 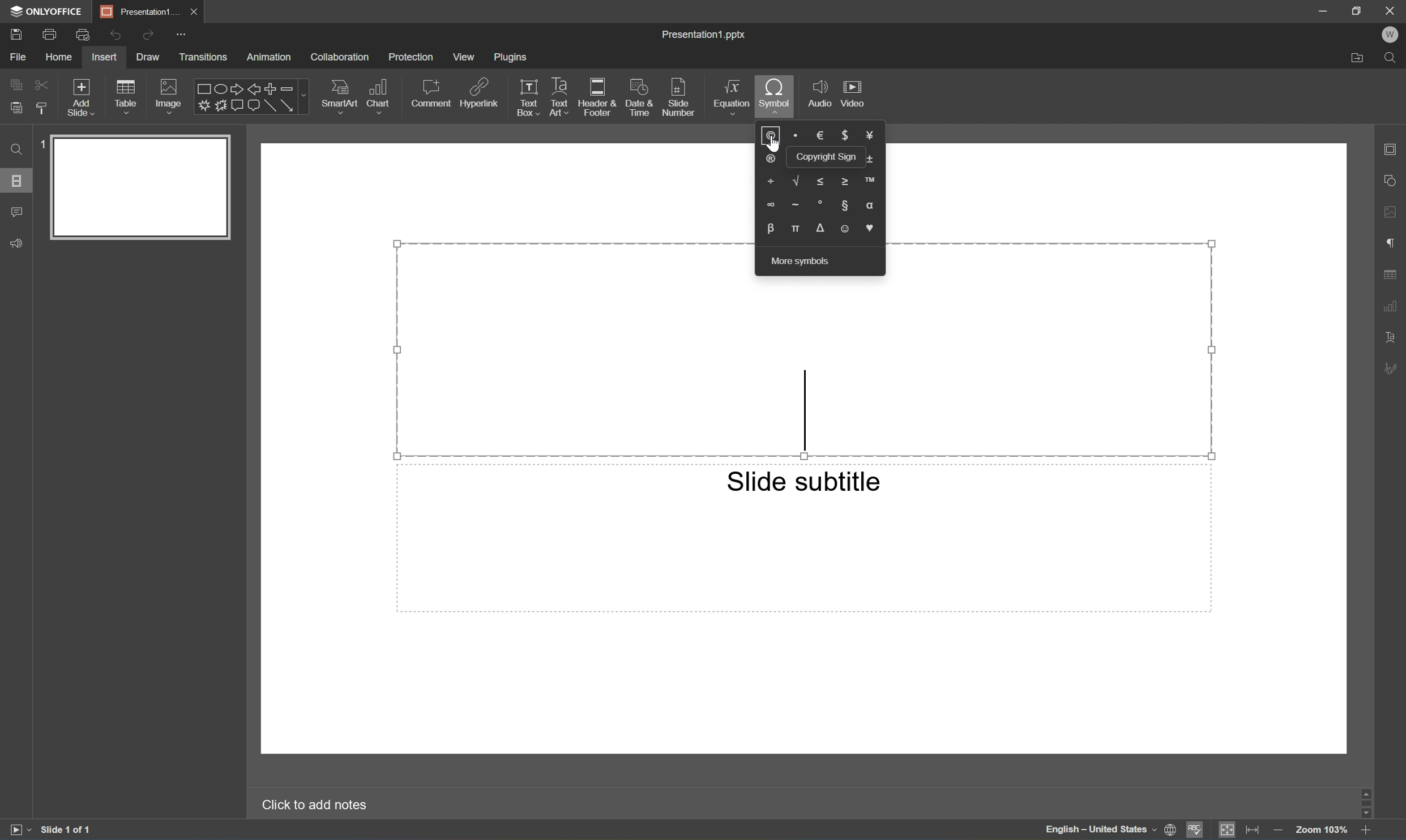 What do you see at coordinates (1392, 368) in the screenshot?
I see `Signature settings` at bounding box center [1392, 368].